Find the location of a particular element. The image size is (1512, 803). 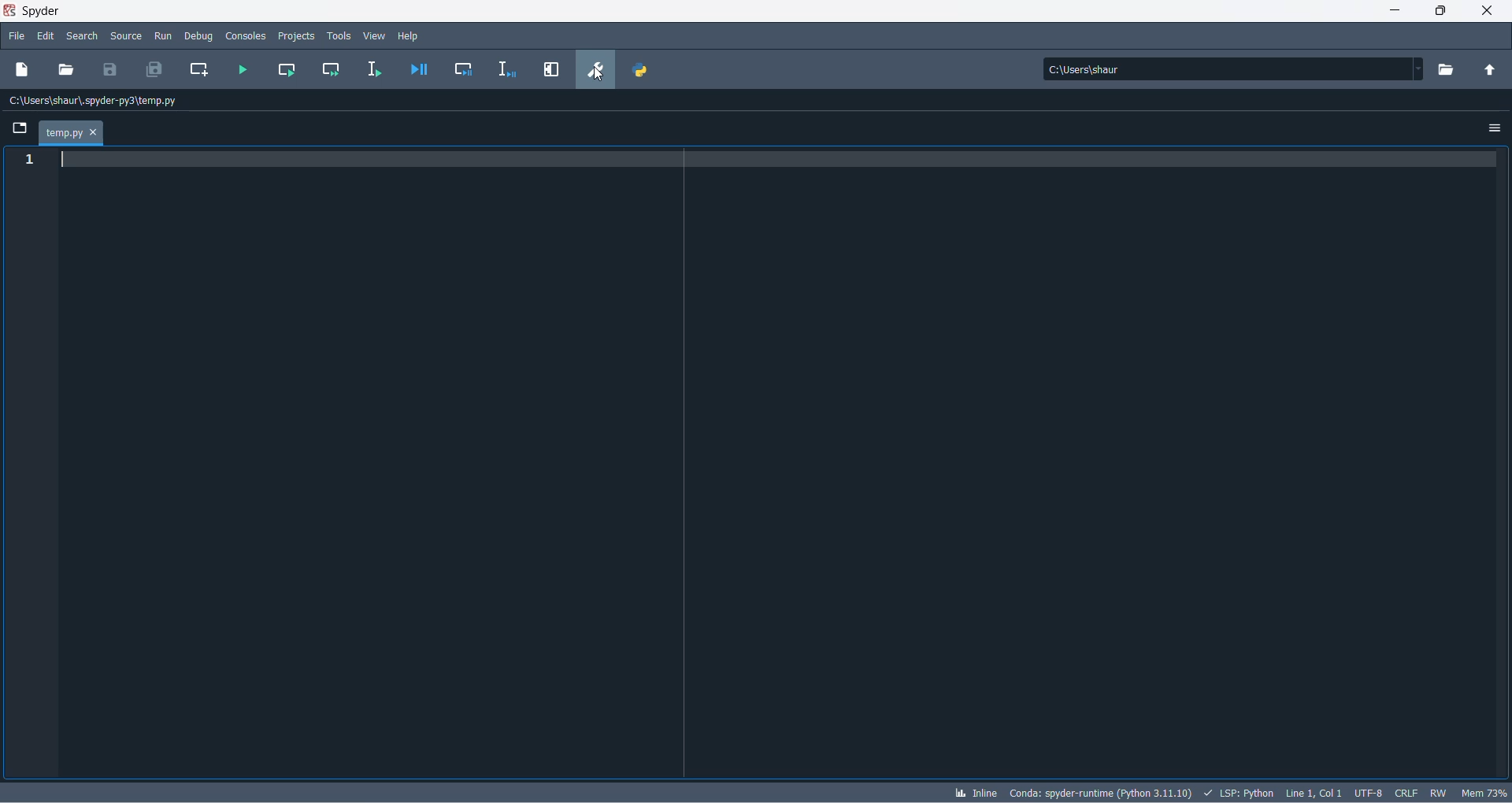

consoles is located at coordinates (246, 35).